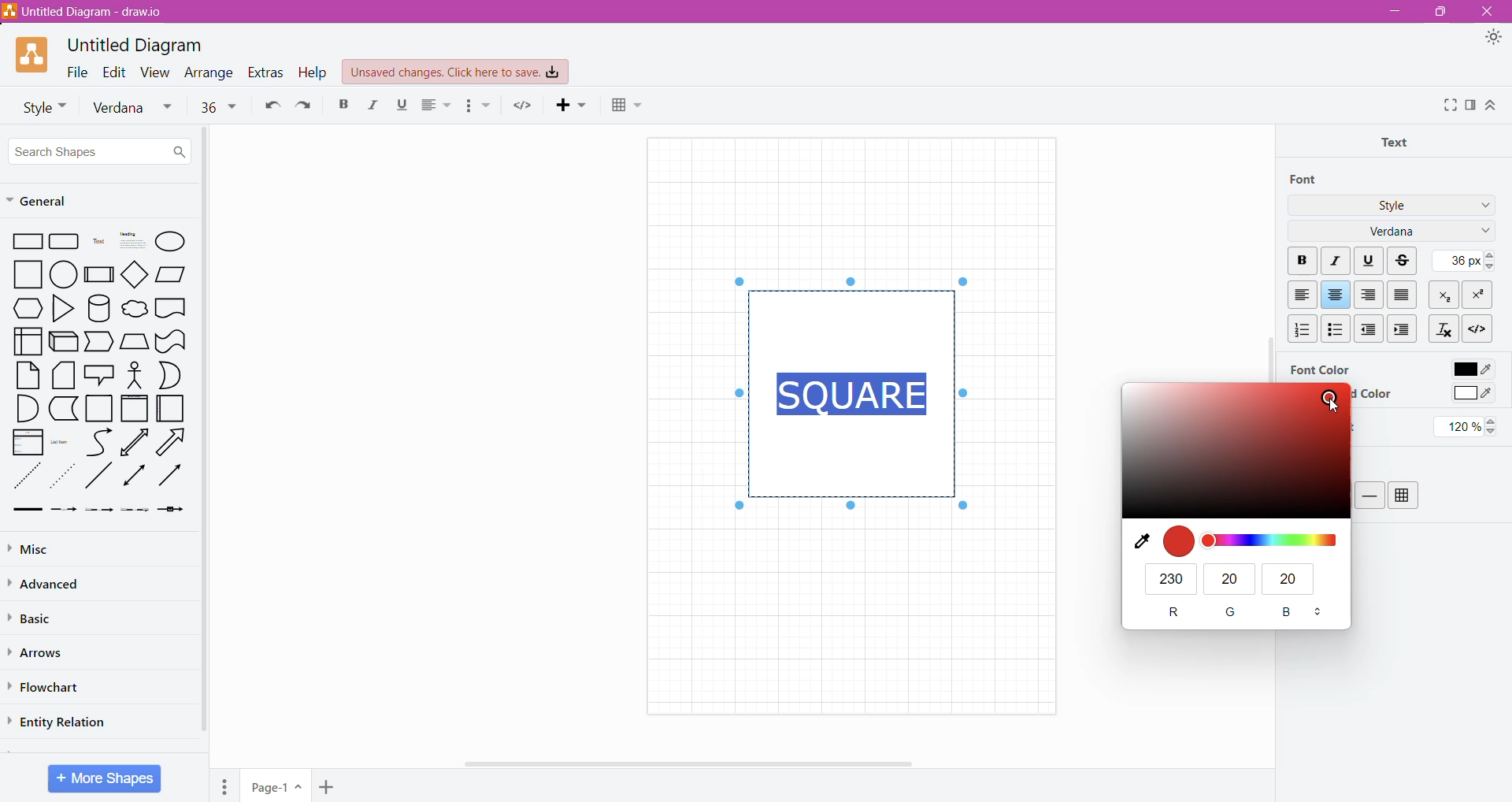 The width and height of the screenshot is (1512, 802). What do you see at coordinates (1482, 207) in the screenshot?
I see `More Styles` at bounding box center [1482, 207].